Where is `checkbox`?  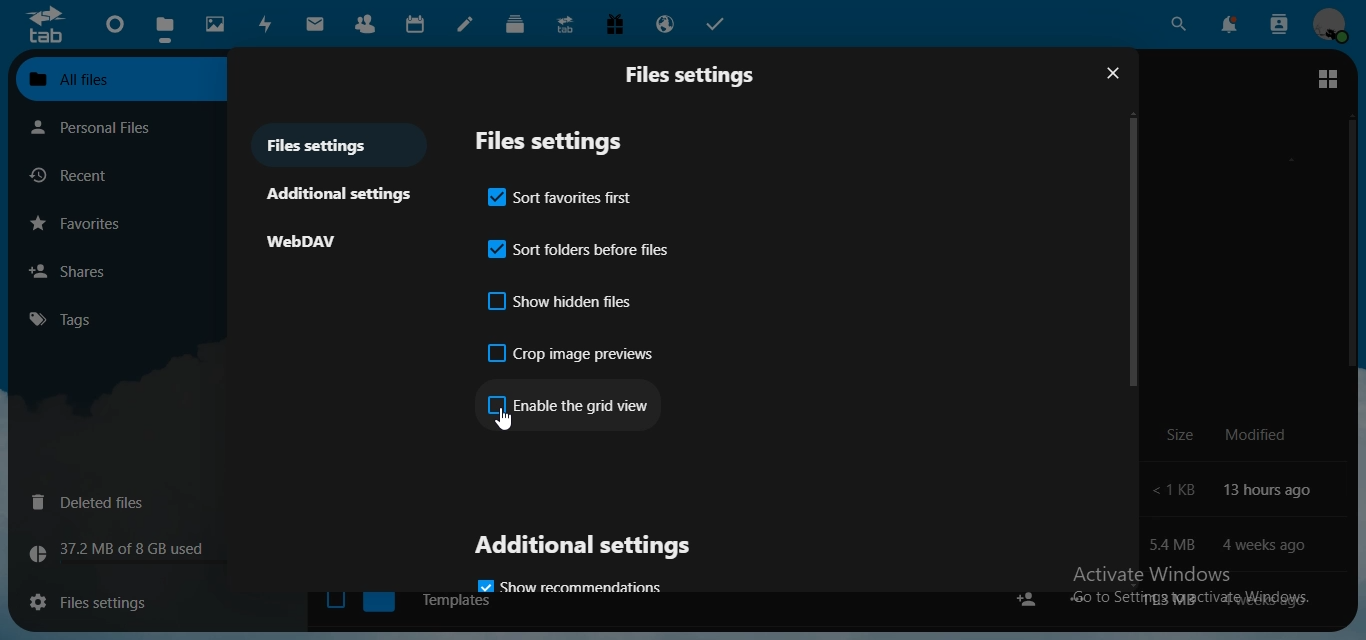 checkbox is located at coordinates (333, 600).